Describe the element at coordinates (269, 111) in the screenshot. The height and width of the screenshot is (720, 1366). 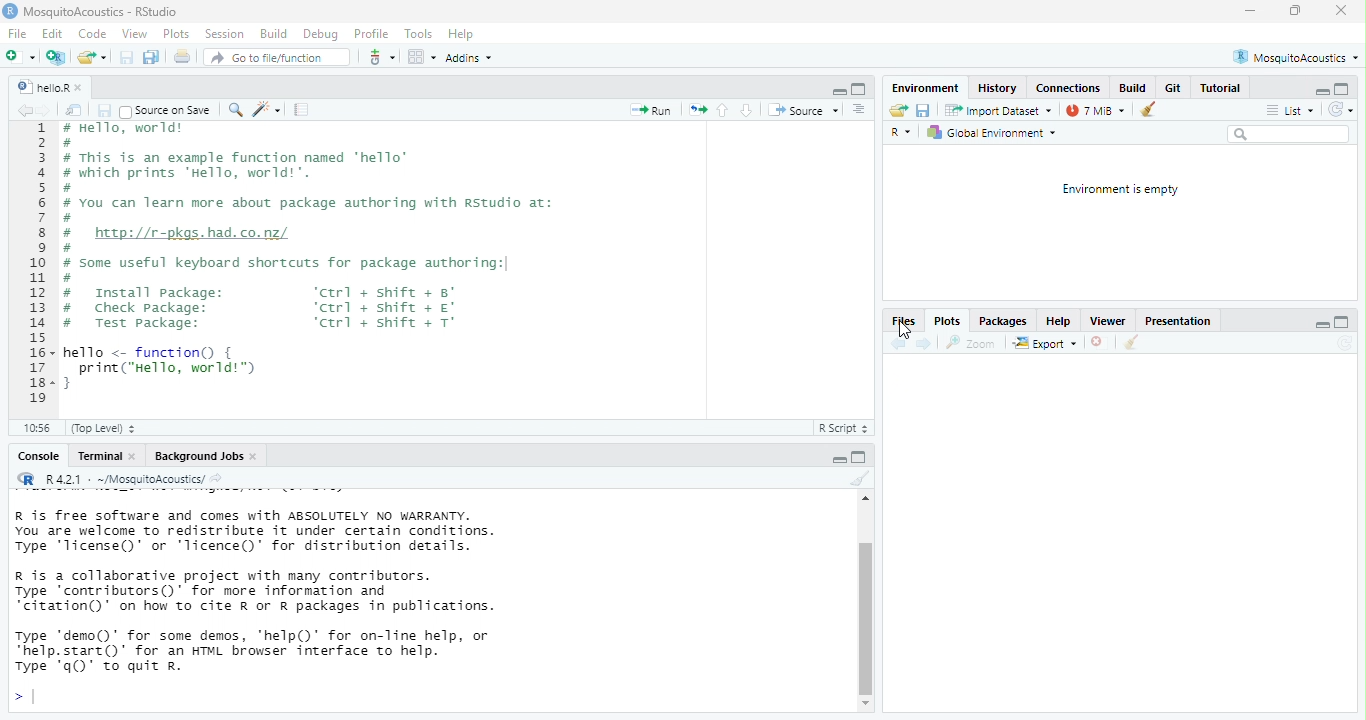
I see `code tools` at that location.